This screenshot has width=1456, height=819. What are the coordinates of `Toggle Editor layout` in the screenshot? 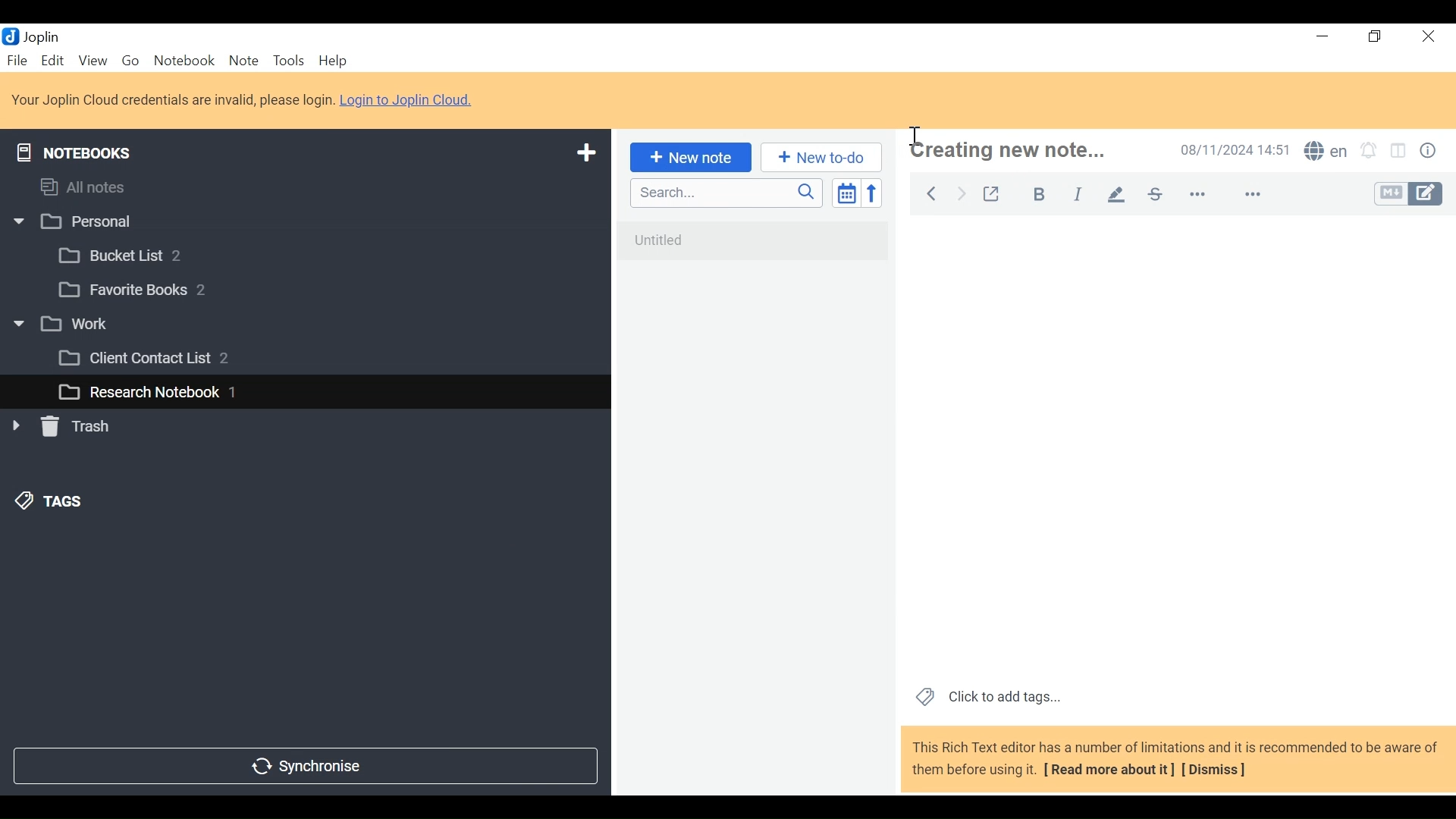 It's located at (1399, 152).